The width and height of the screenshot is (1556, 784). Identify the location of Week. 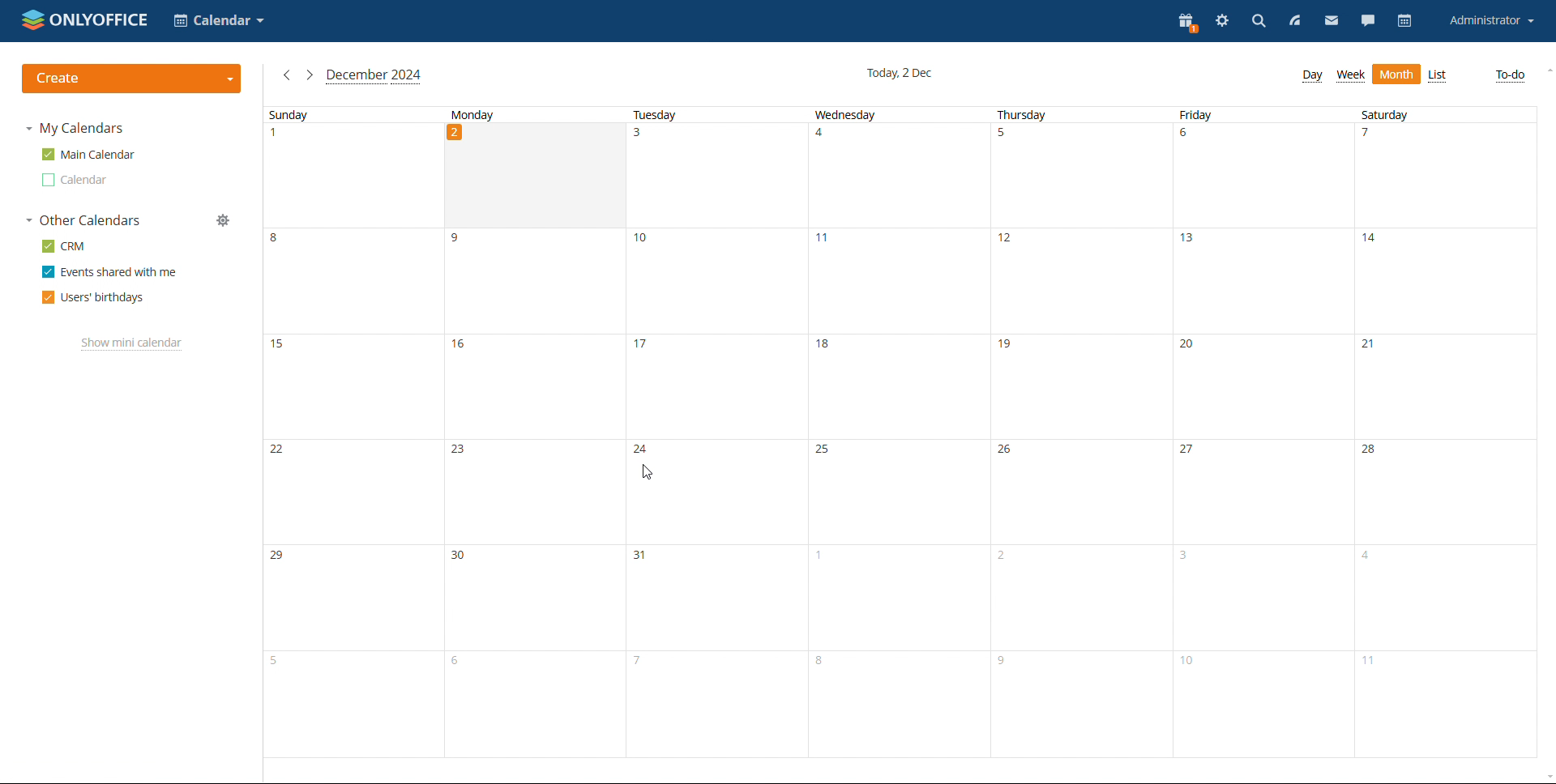
(1351, 75).